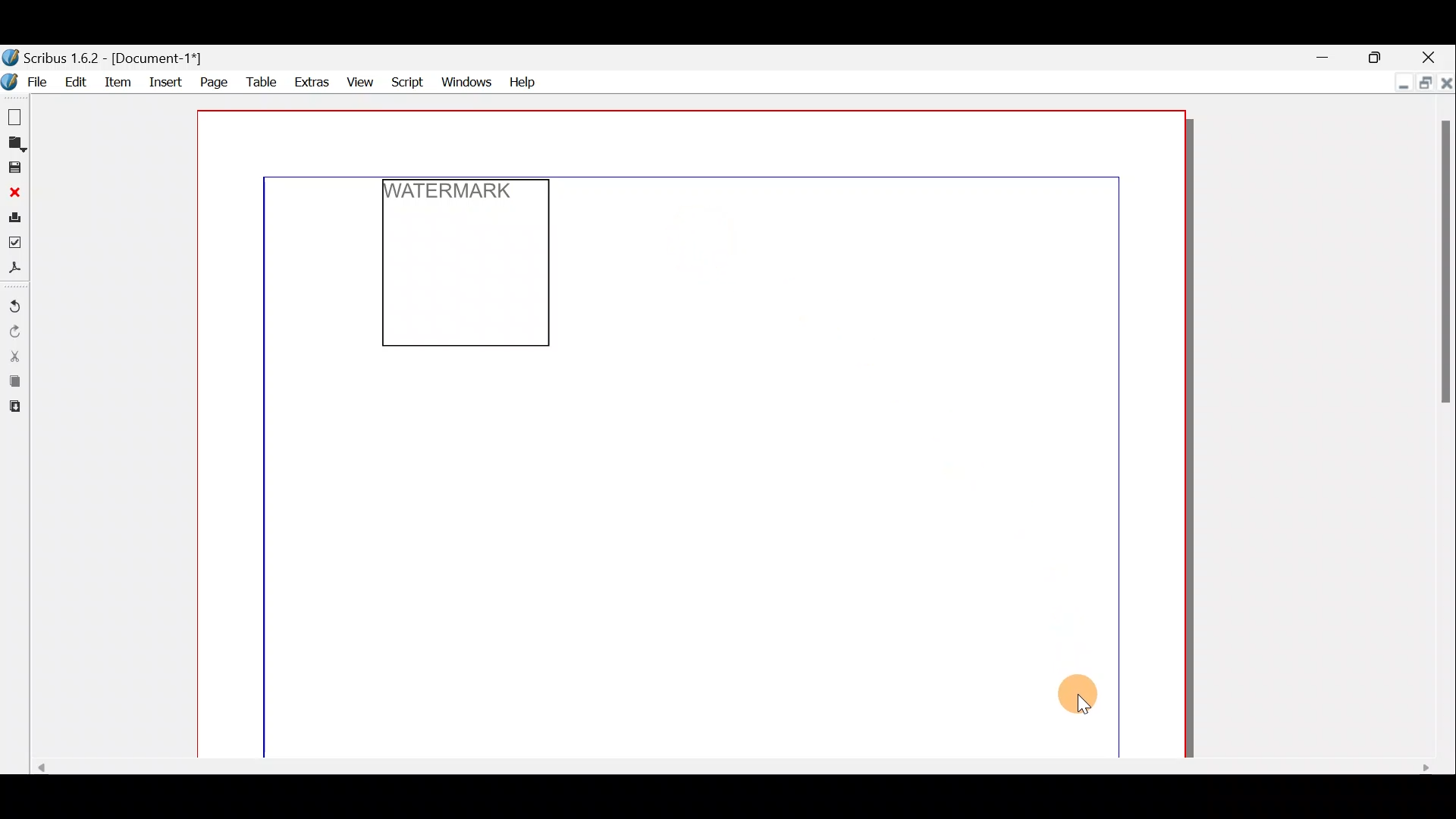 The image size is (1456, 819). I want to click on View, so click(360, 81).